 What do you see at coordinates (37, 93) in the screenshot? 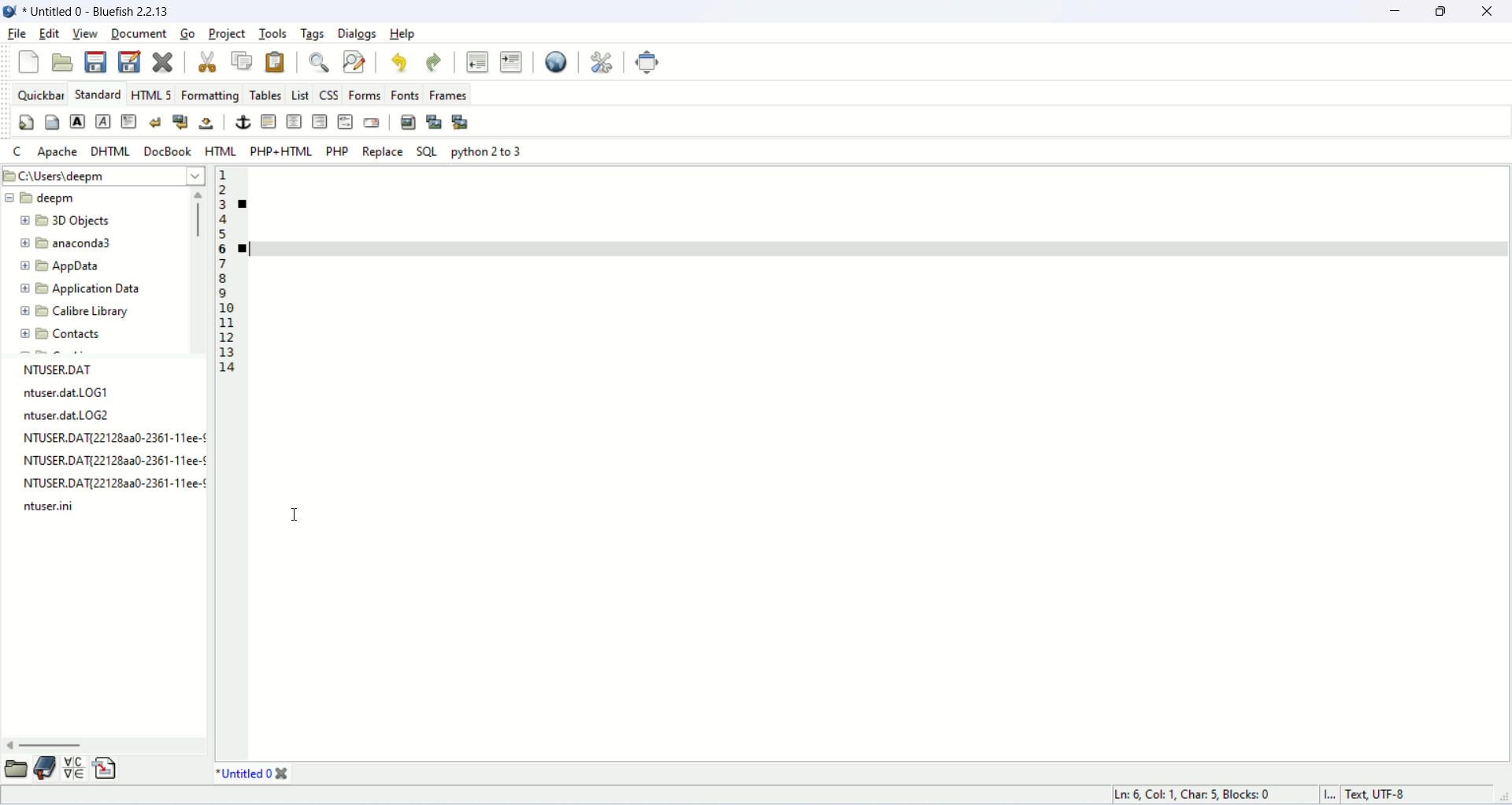
I see `quickbar` at bounding box center [37, 93].